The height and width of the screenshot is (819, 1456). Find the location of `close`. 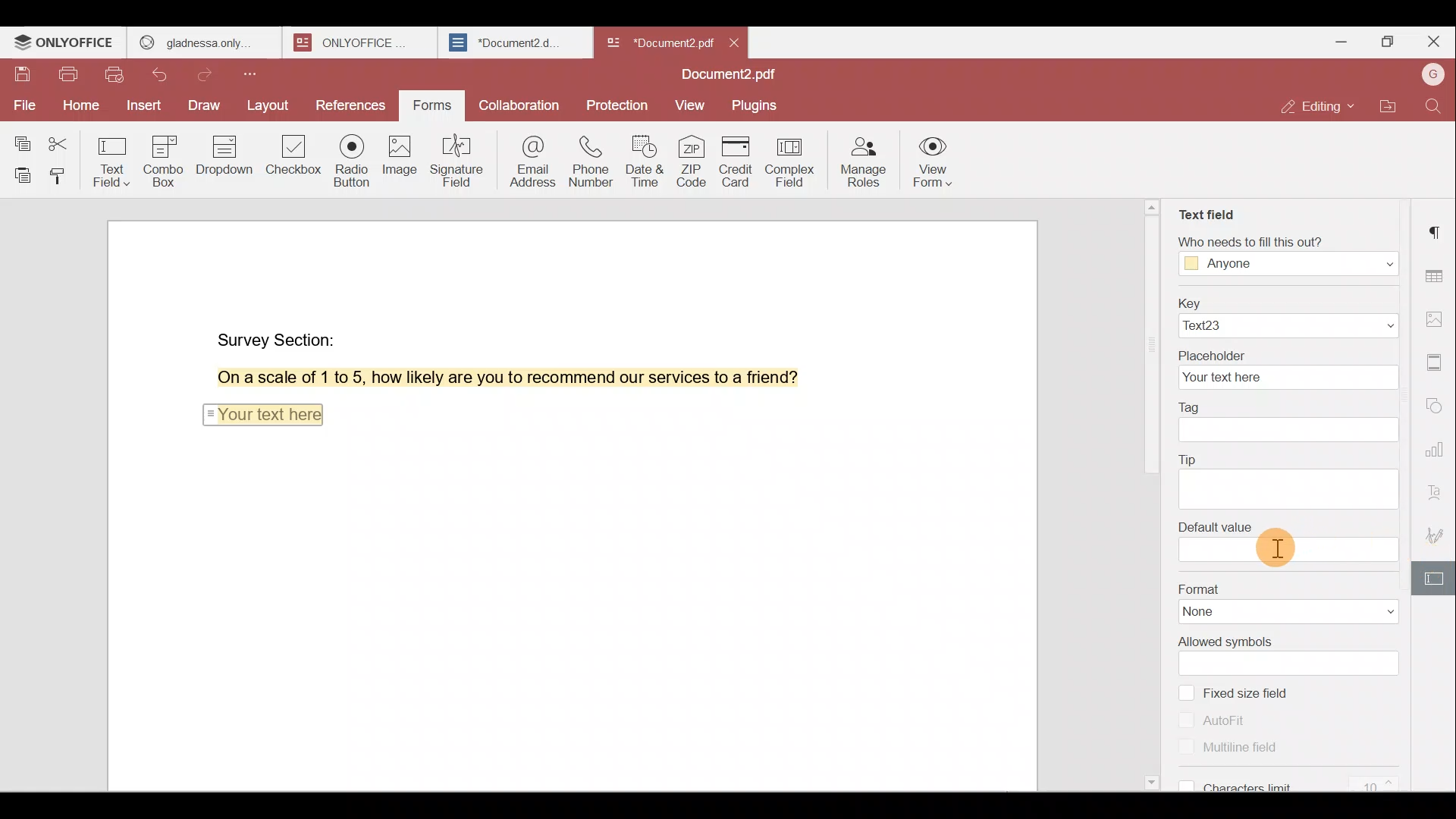

close is located at coordinates (734, 42).